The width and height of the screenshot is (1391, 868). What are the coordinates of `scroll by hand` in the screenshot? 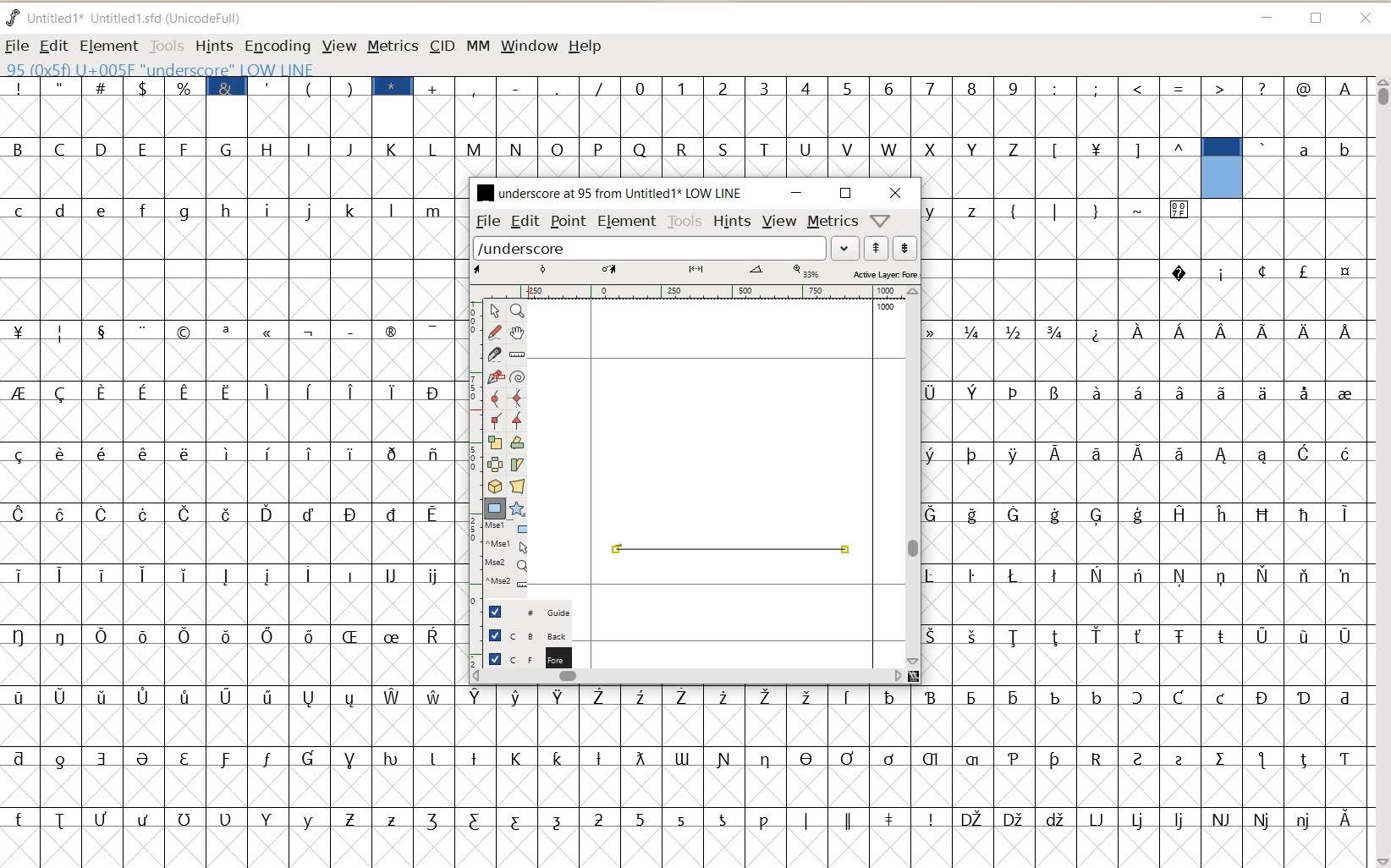 It's located at (519, 332).